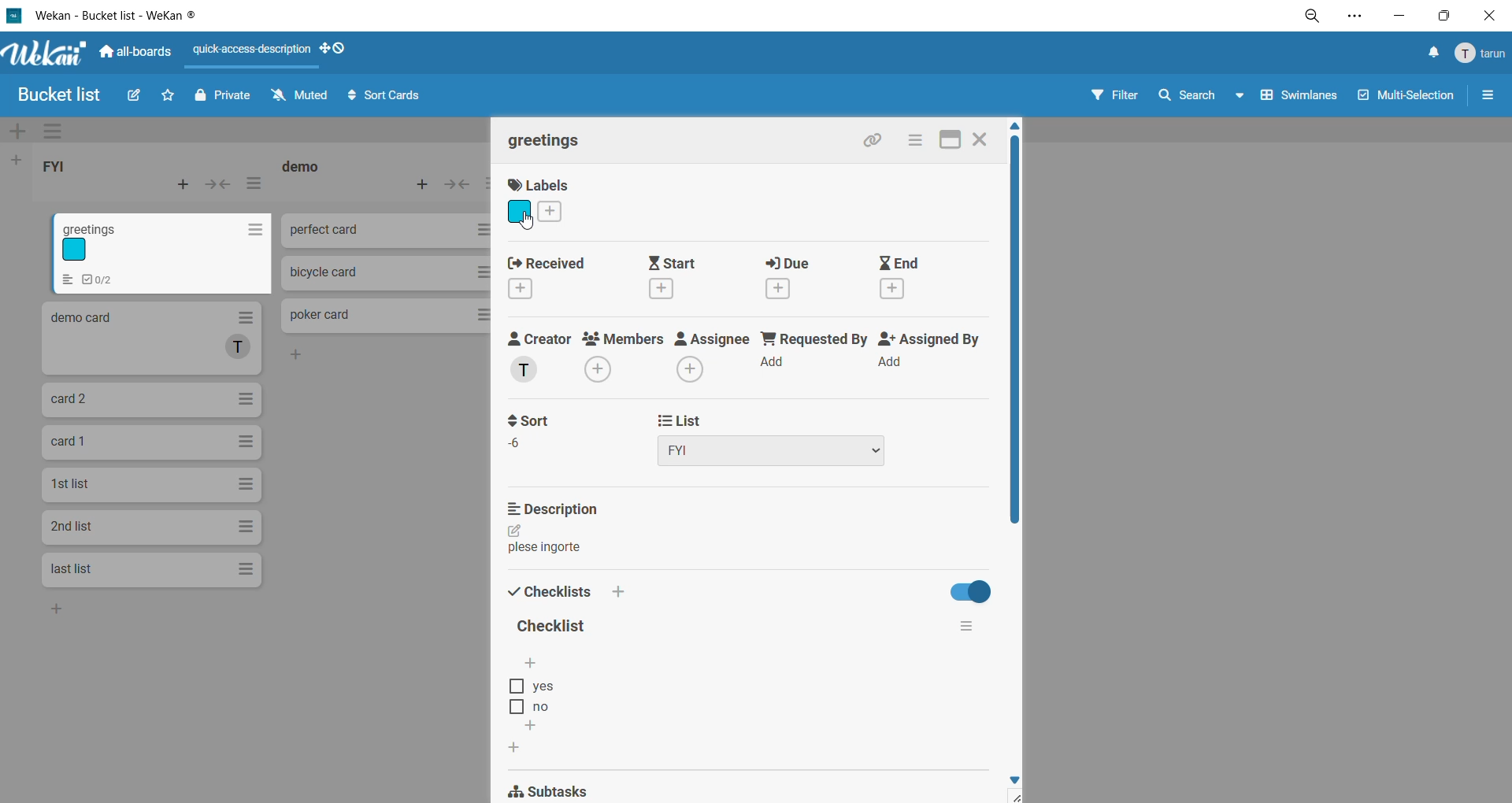 Image resolution: width=1512 pixels, height=803 pixels. Describe the element at coordinates (780, 439) in the screenshot. I see `list` at that location.